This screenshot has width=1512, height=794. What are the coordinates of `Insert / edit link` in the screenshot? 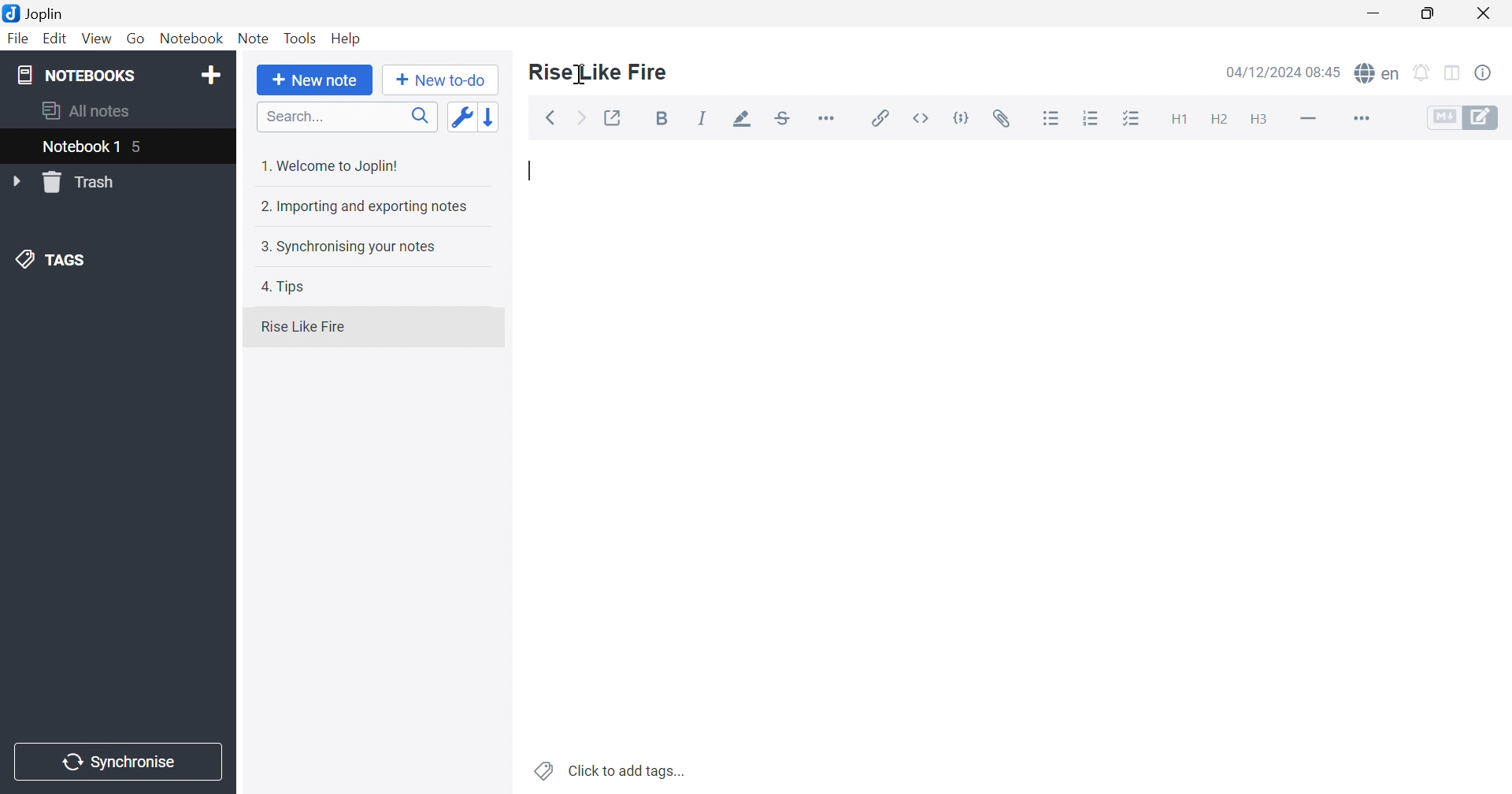 It's located at (878, 115).